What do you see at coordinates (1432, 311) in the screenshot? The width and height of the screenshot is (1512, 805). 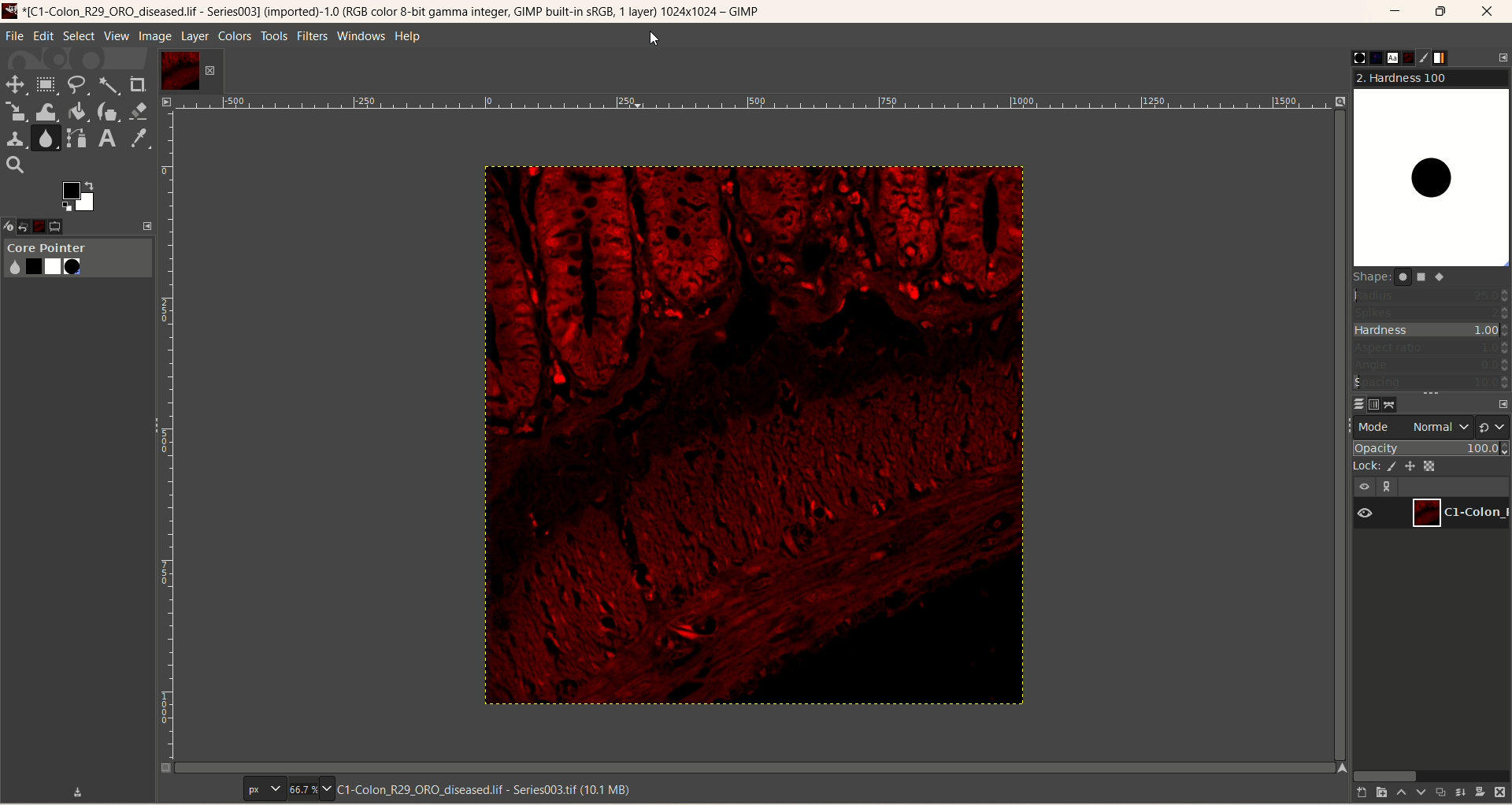 I see `spikes` at bounding box center [1432, 311].